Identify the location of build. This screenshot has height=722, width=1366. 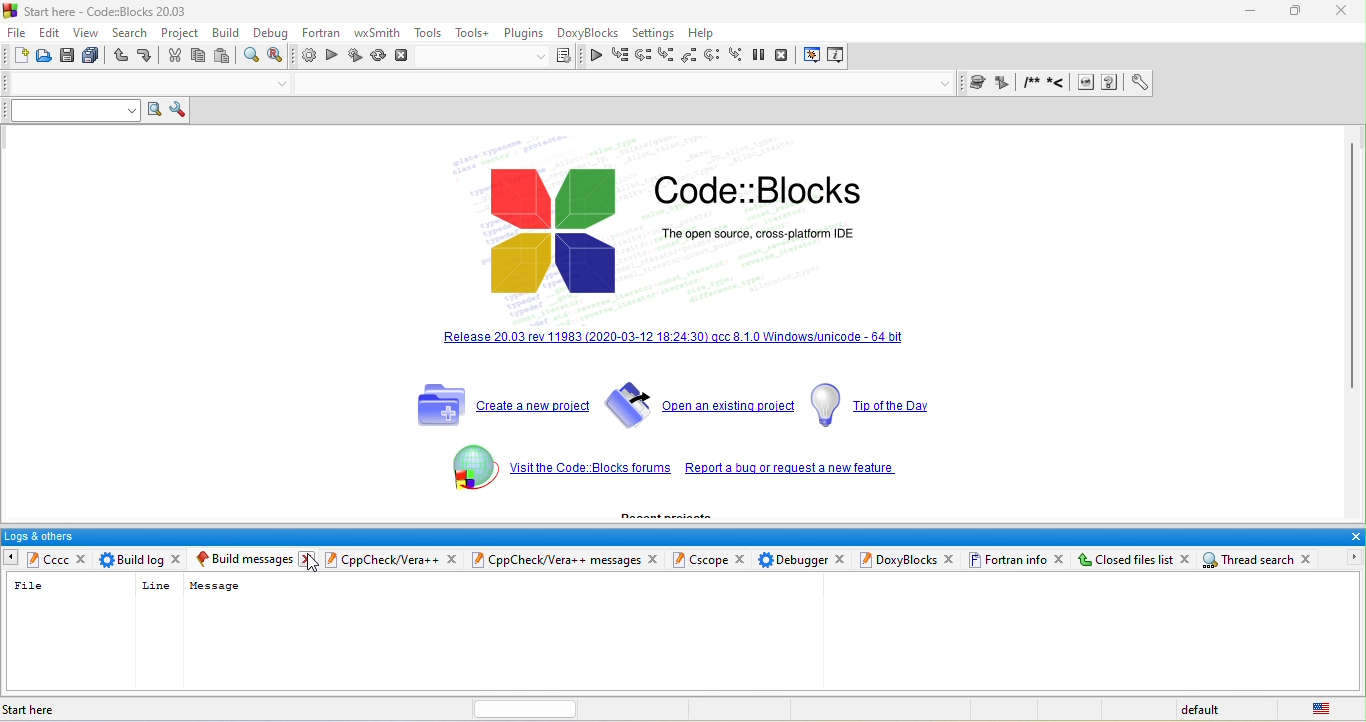
(306, 57).